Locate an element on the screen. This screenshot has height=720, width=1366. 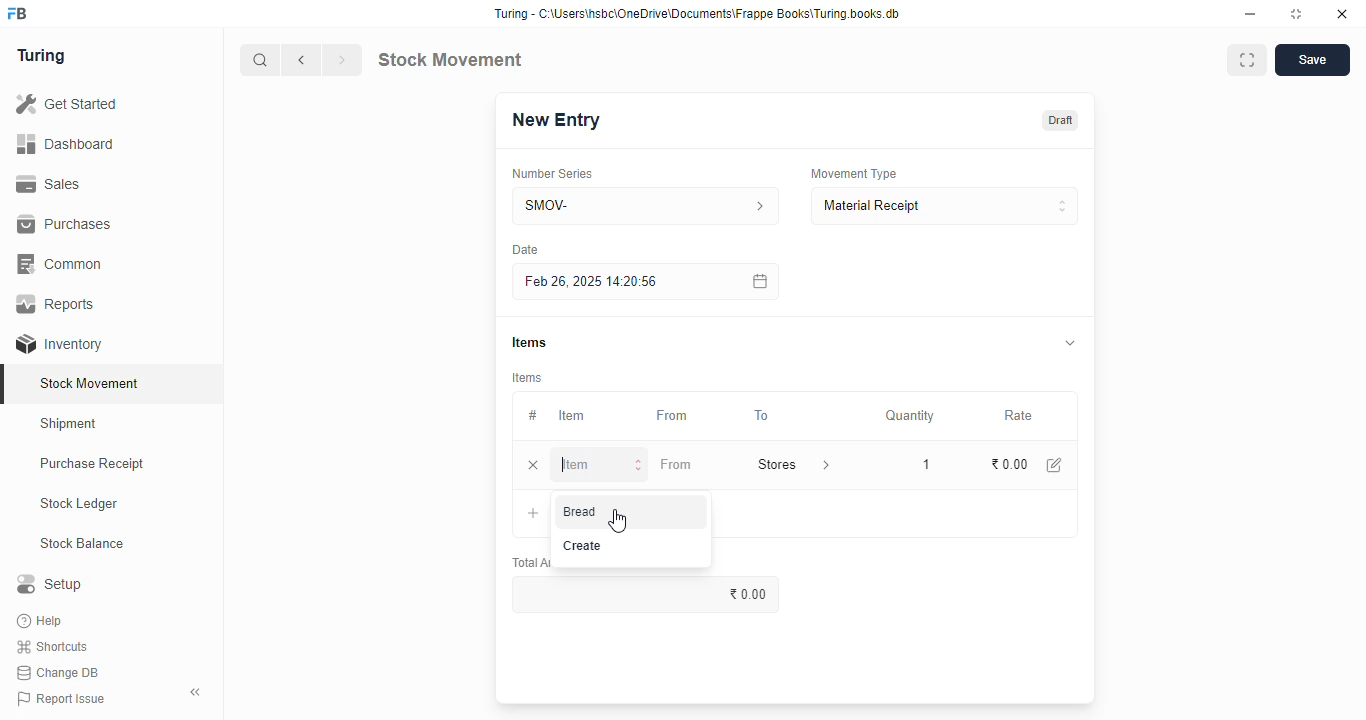
item is located at coordinates (601, 465).